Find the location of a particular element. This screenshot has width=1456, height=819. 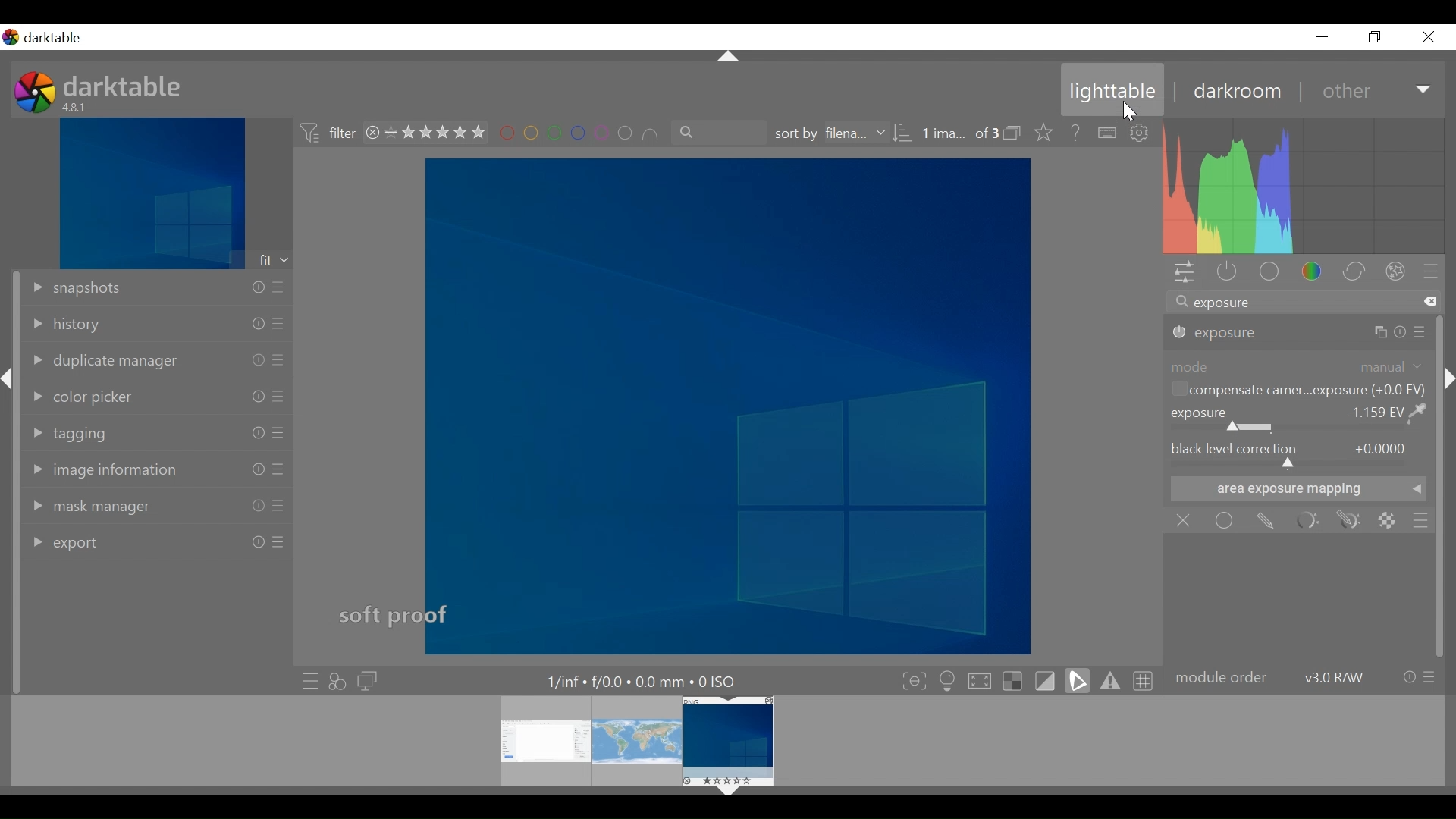

presets is located at coordinates (1432, 273).